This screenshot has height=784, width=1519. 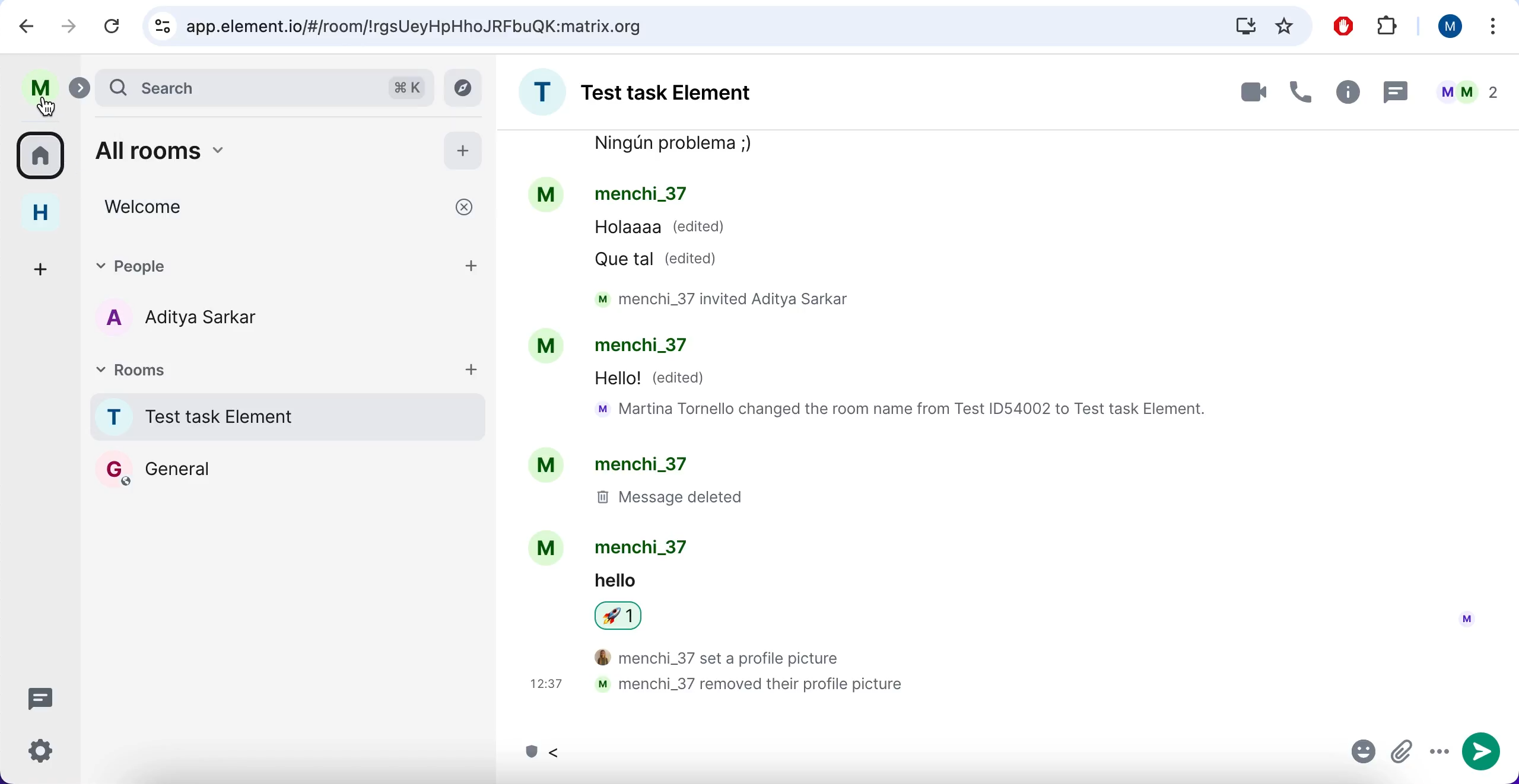 What do you see at coordinates (222, 317) in the screenshot?
I see `chat member` at bounding box center [222, 317].